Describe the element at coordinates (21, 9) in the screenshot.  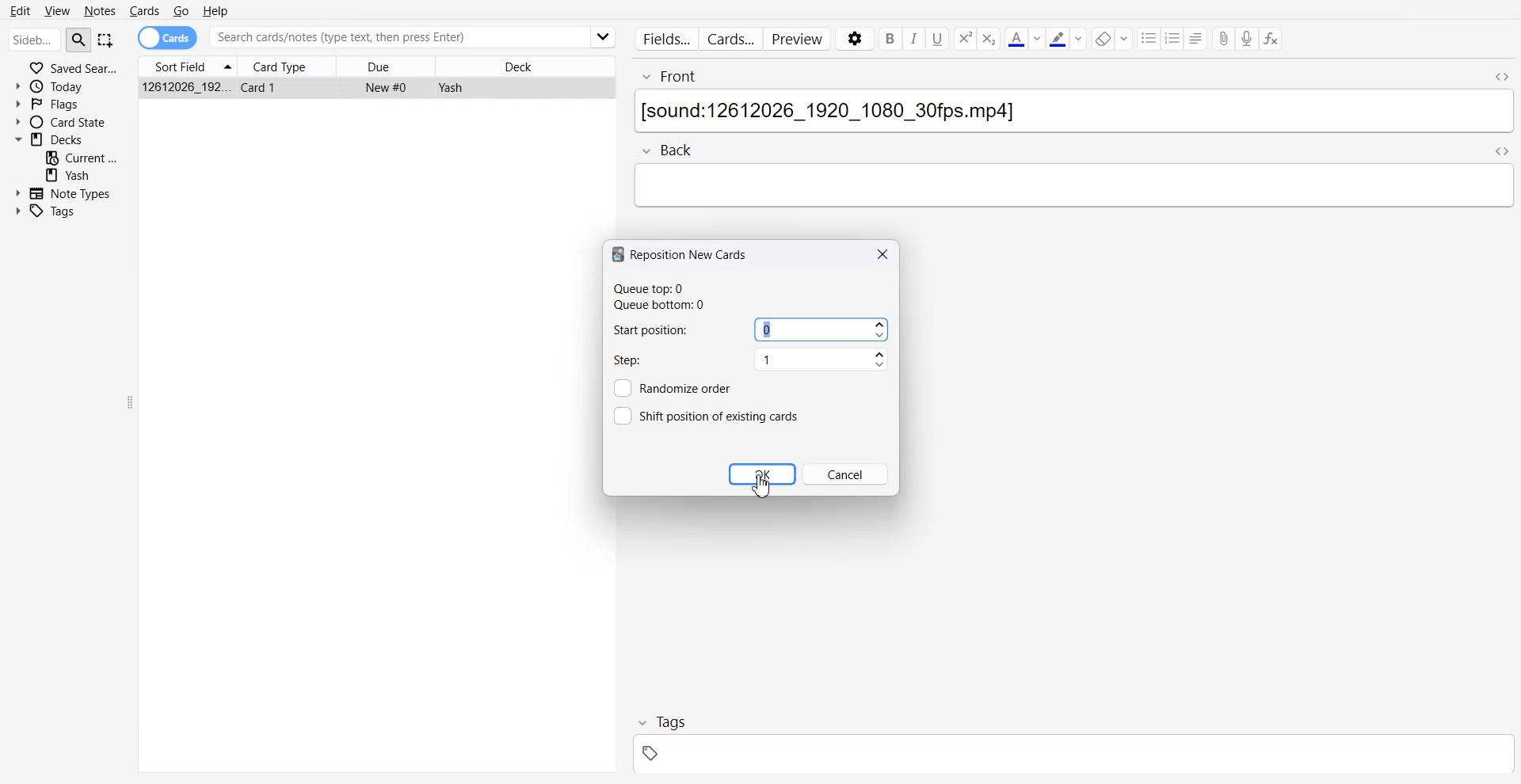
I see `Edit` at that location.